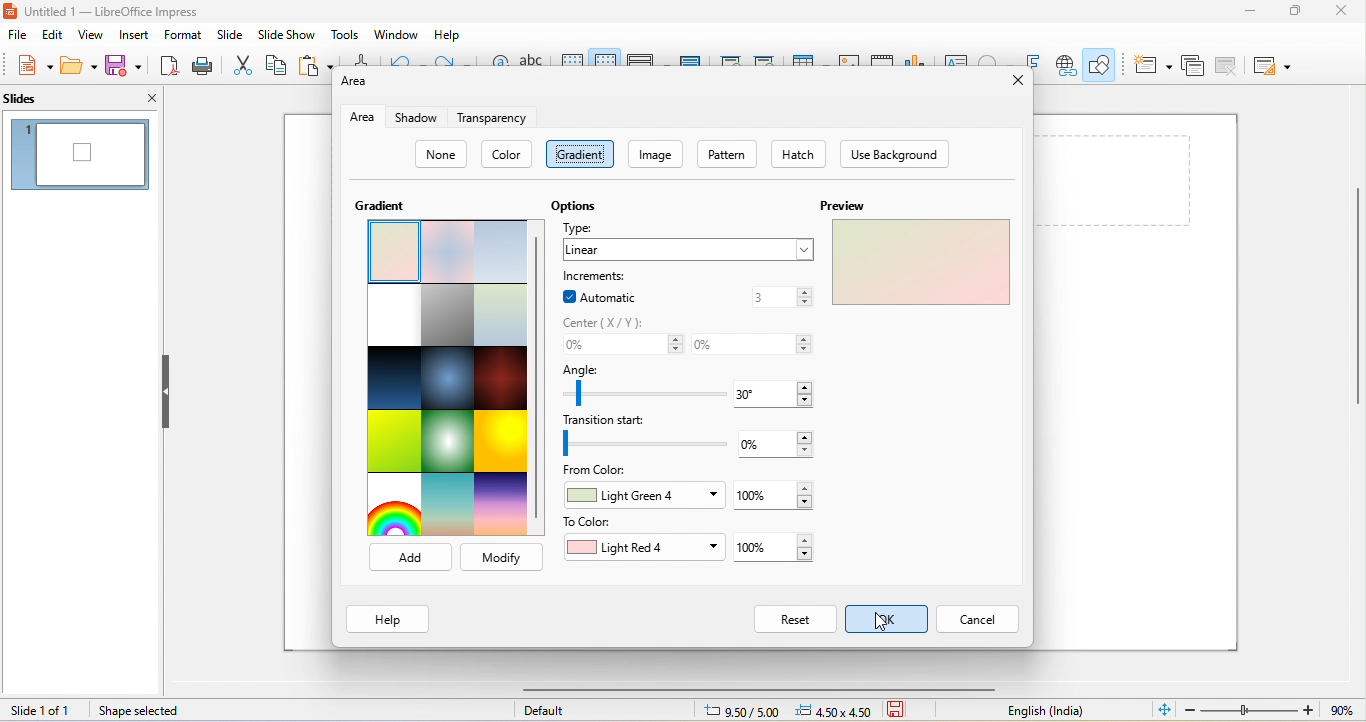 The height and width of the screenshot is (722, 1366). What do you see at coordinates (36, 67) in the screenshot?
I see `new` at bounding box center [36, 67].